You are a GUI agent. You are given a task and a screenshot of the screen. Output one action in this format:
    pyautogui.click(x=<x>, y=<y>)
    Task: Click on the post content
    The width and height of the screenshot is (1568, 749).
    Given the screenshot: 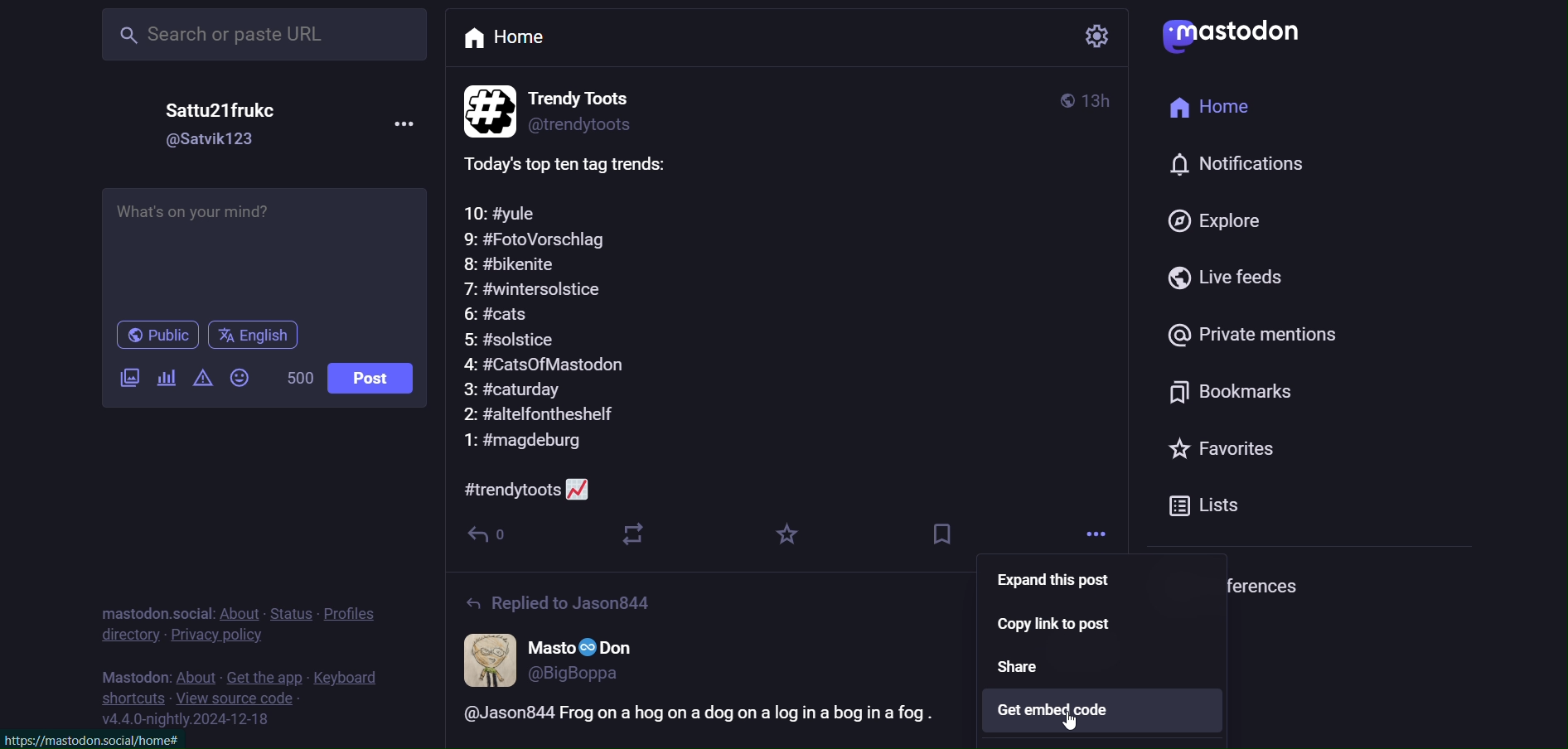 What is the action you would take?
    pyautogui.click(x=572, y=326)
    